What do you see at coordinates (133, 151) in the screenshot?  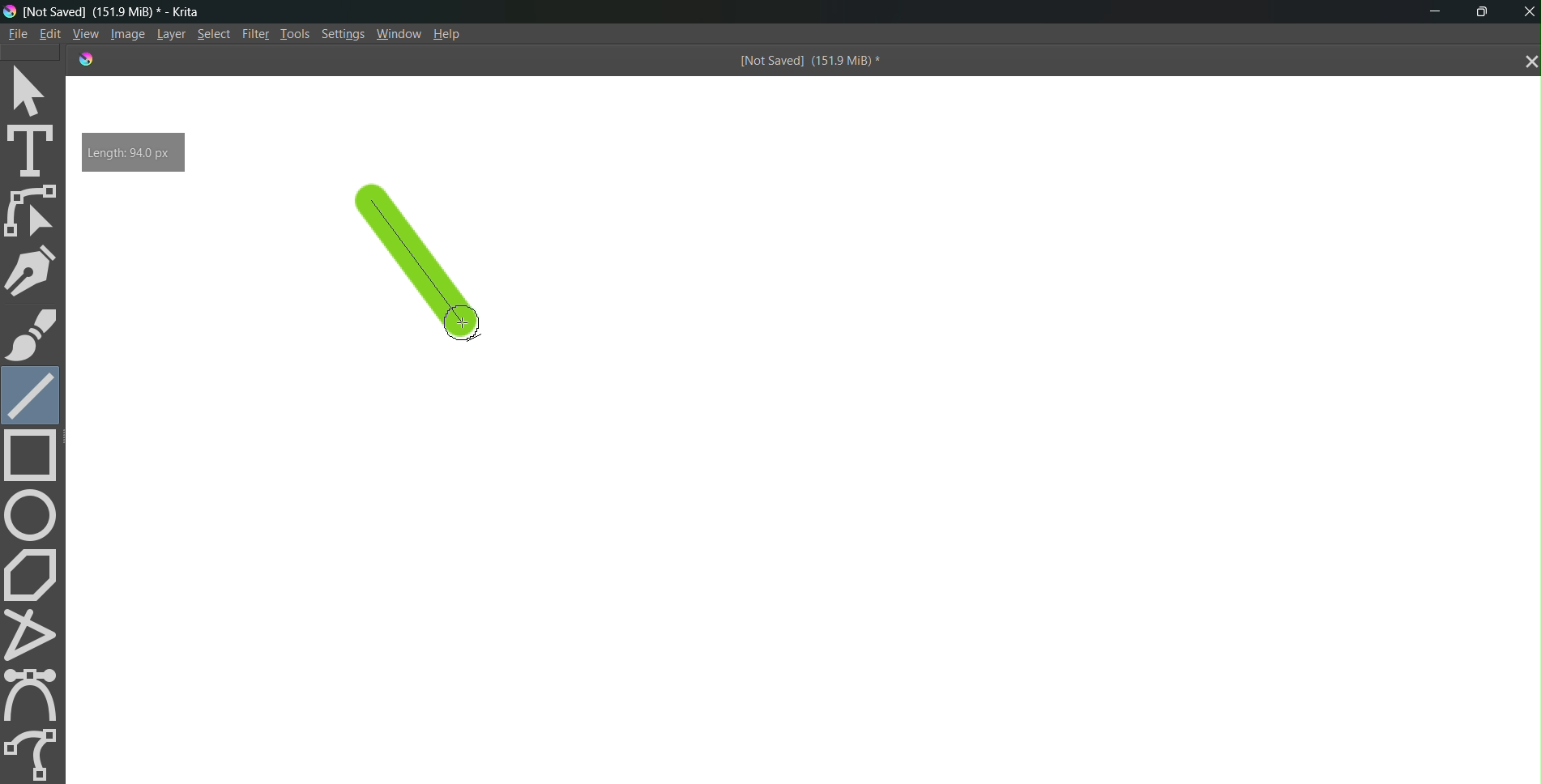 I see `length` at bounding box center [133, 151].